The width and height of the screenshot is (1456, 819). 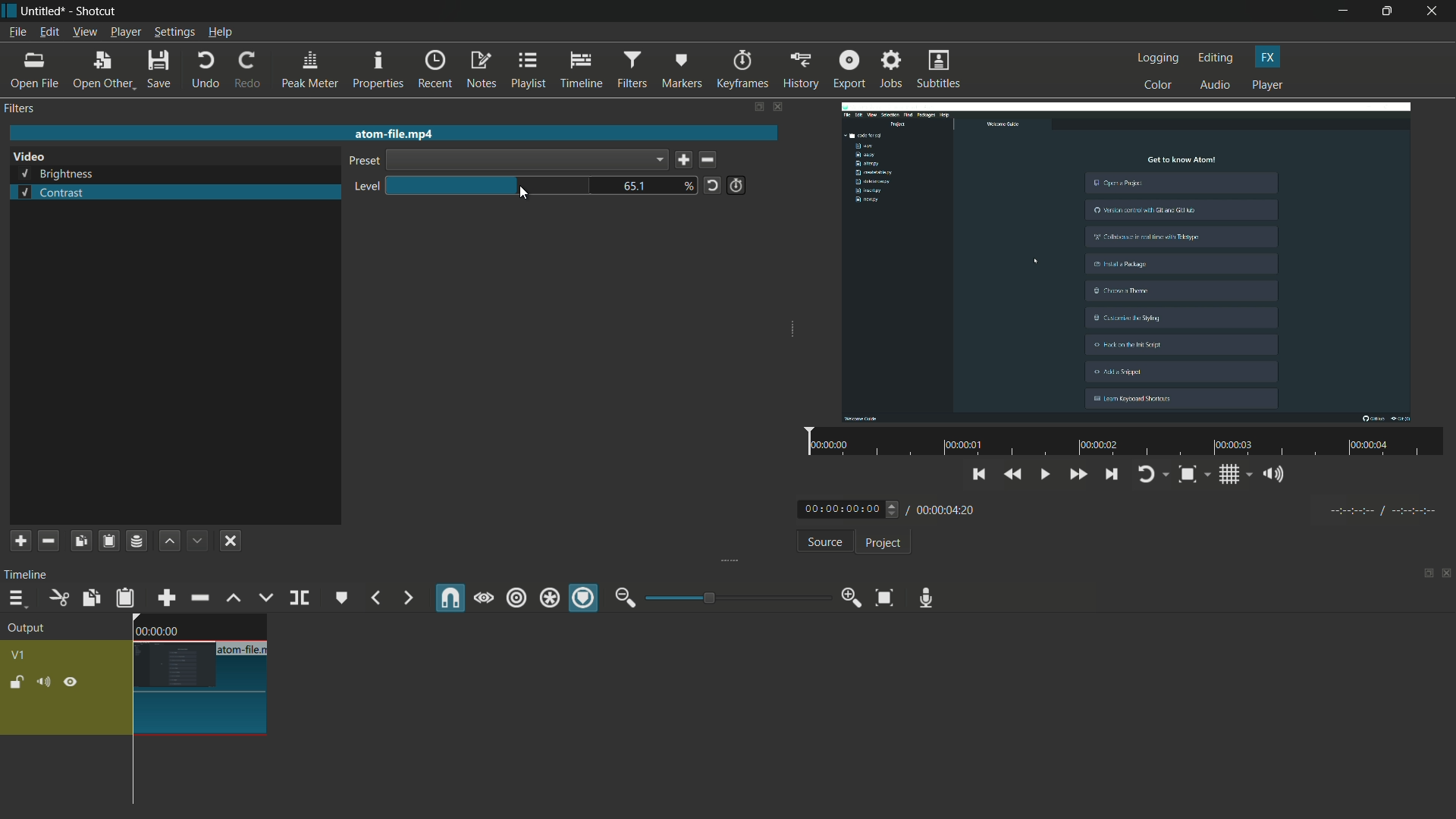 I want to click on color, so click(x=1159, y=84).